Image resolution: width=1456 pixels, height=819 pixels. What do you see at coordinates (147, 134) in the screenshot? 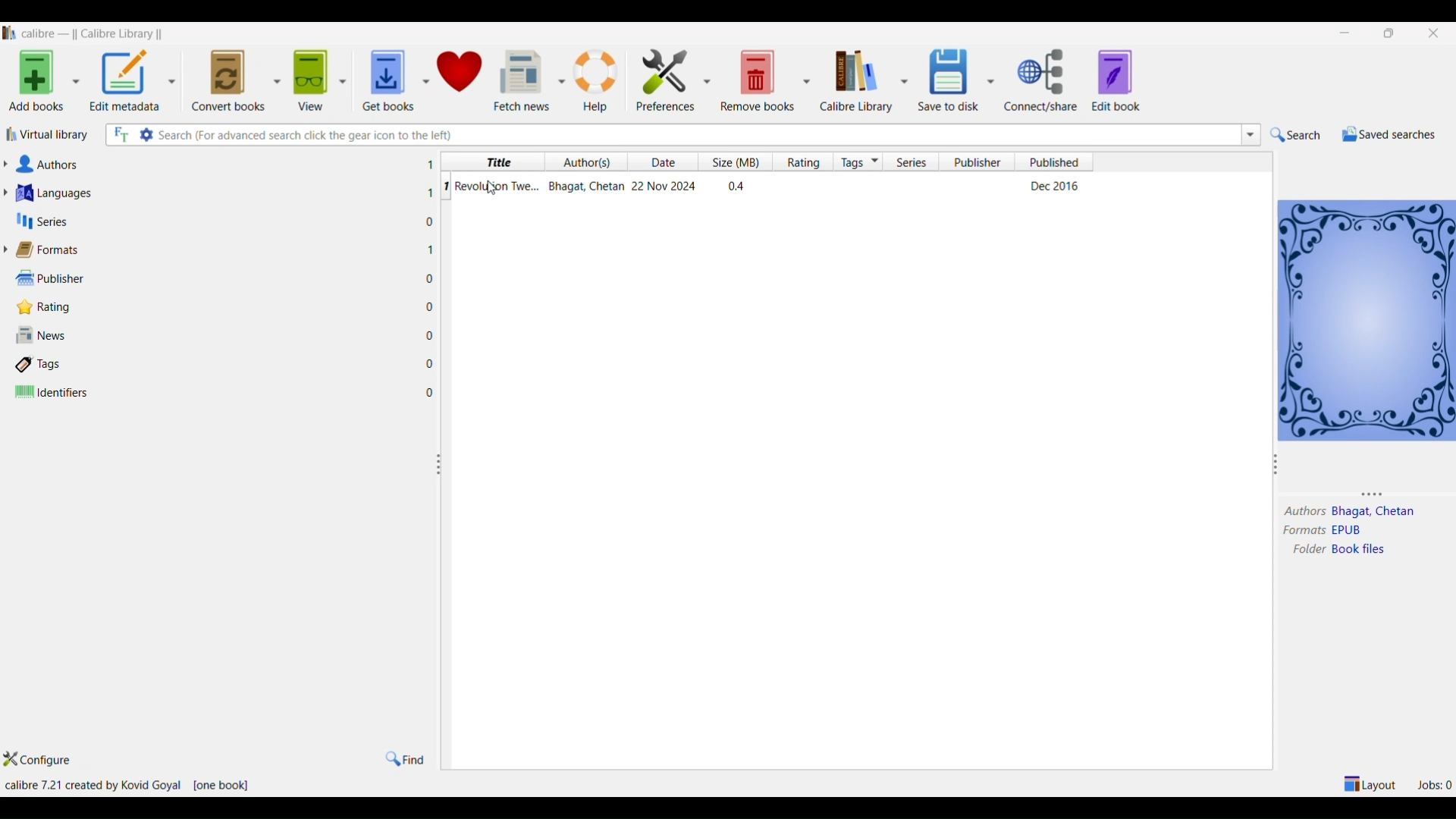
I see `search settings` at bounding box center [147, 134].